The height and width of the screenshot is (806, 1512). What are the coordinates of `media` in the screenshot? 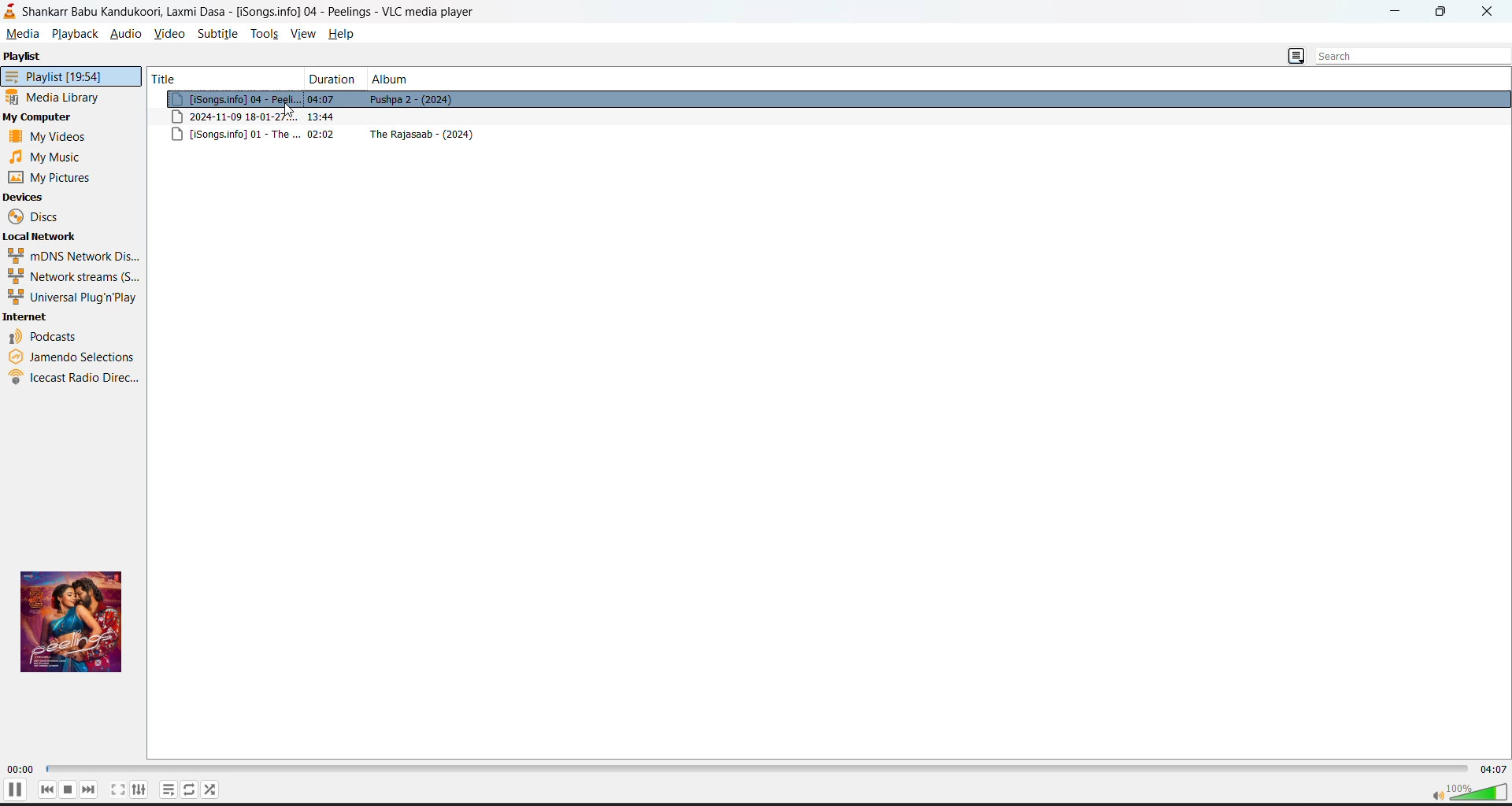 It's located at (24, 34).